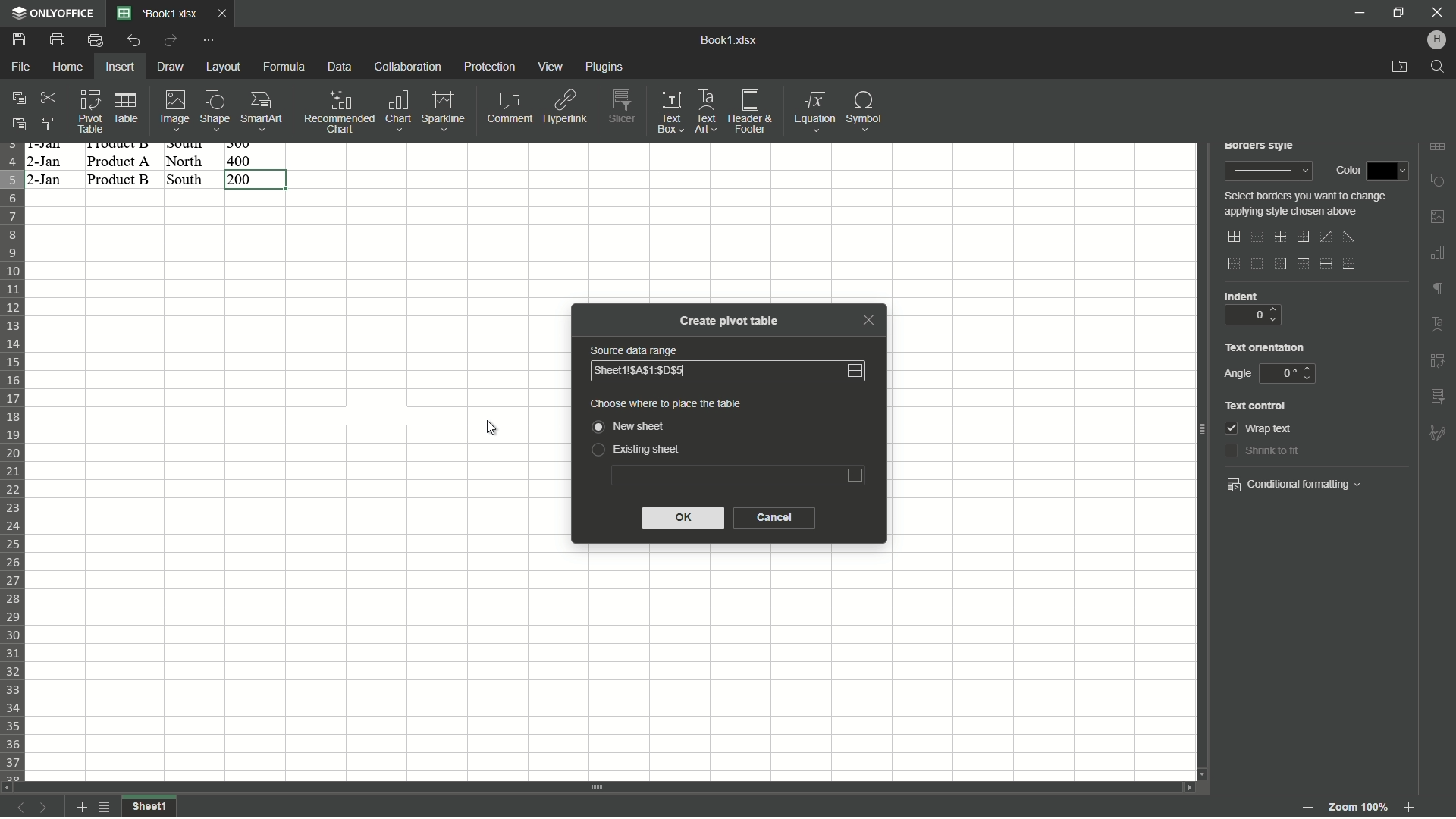  What do you see at coordinates (1200, 431) in the screenshot?
I see `scroll bar` at bounding box center [1200, 431].